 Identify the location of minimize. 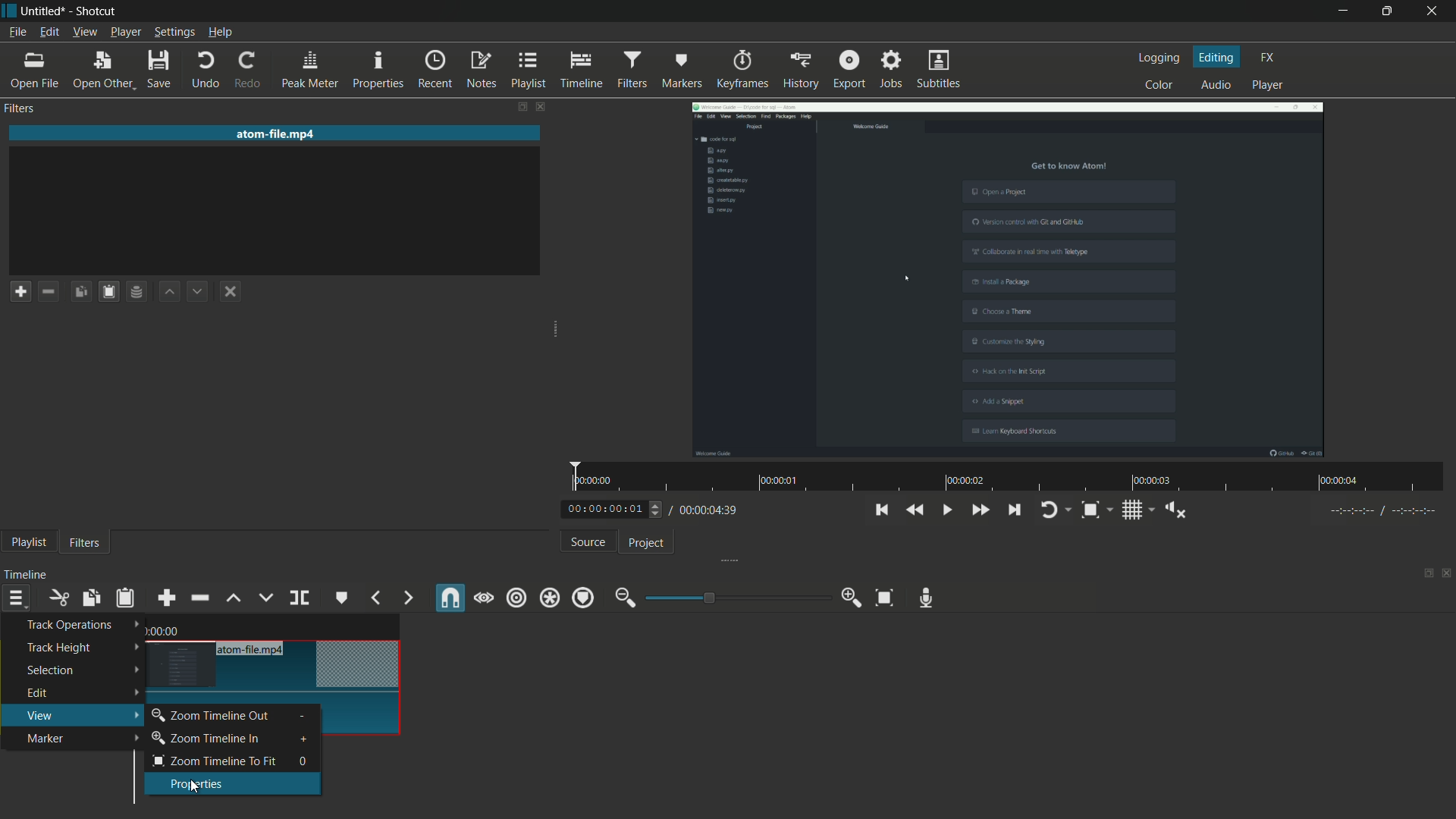
(1341, 11).